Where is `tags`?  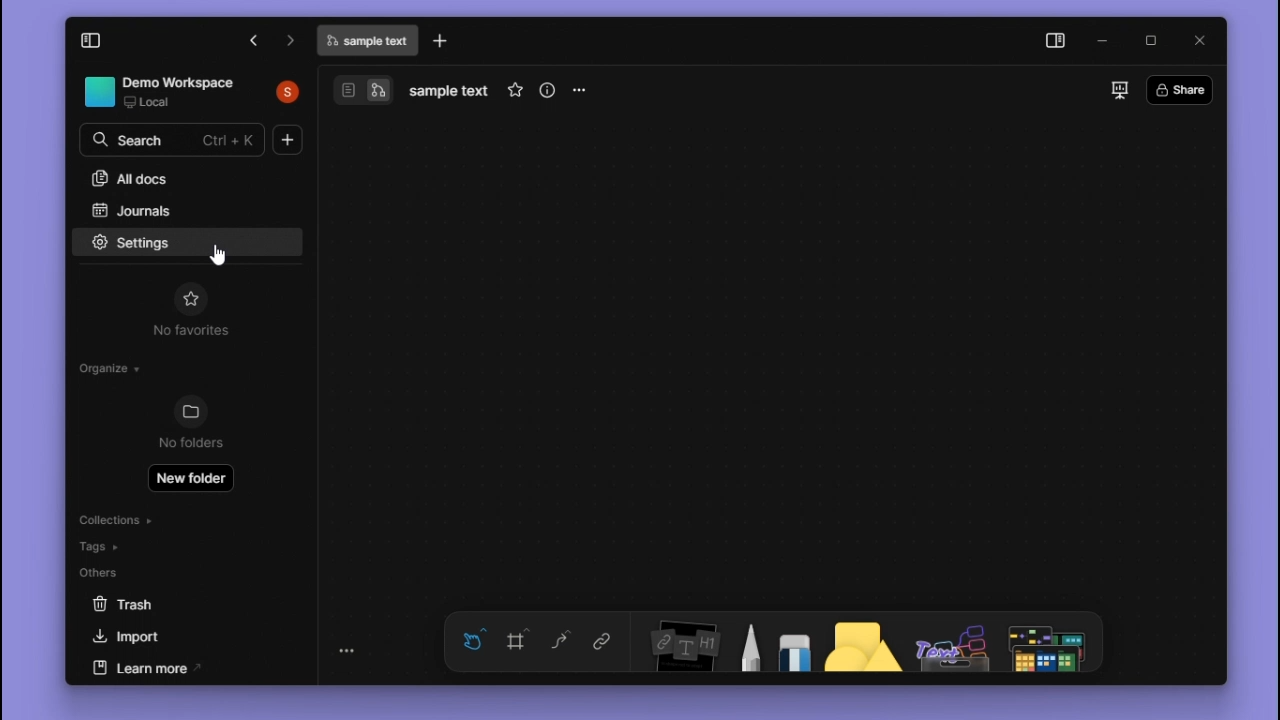 tags is located at coordinates (114, 545).